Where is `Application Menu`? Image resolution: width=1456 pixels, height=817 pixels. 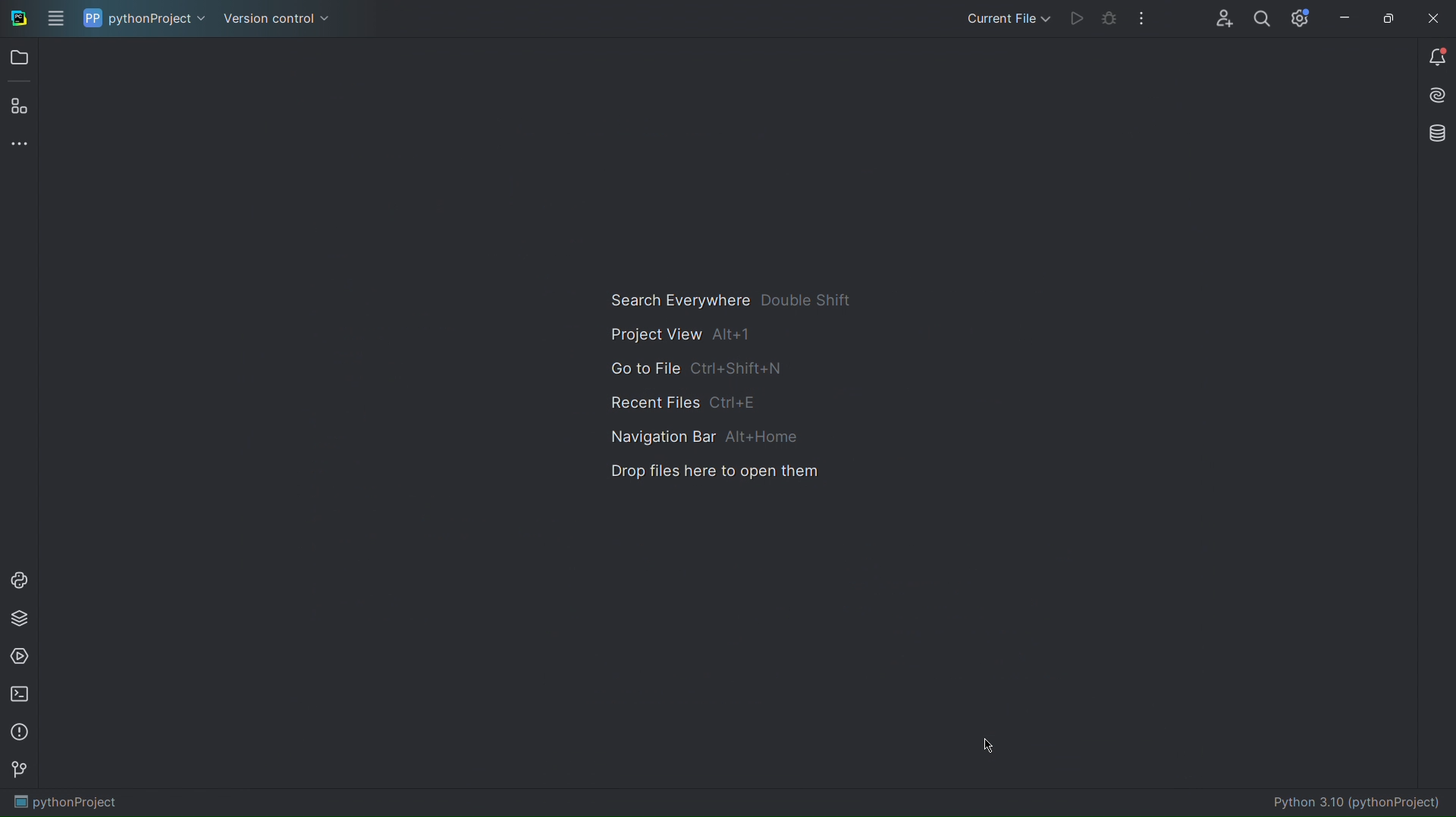 Application Menu is located at coordinates (55, 19).